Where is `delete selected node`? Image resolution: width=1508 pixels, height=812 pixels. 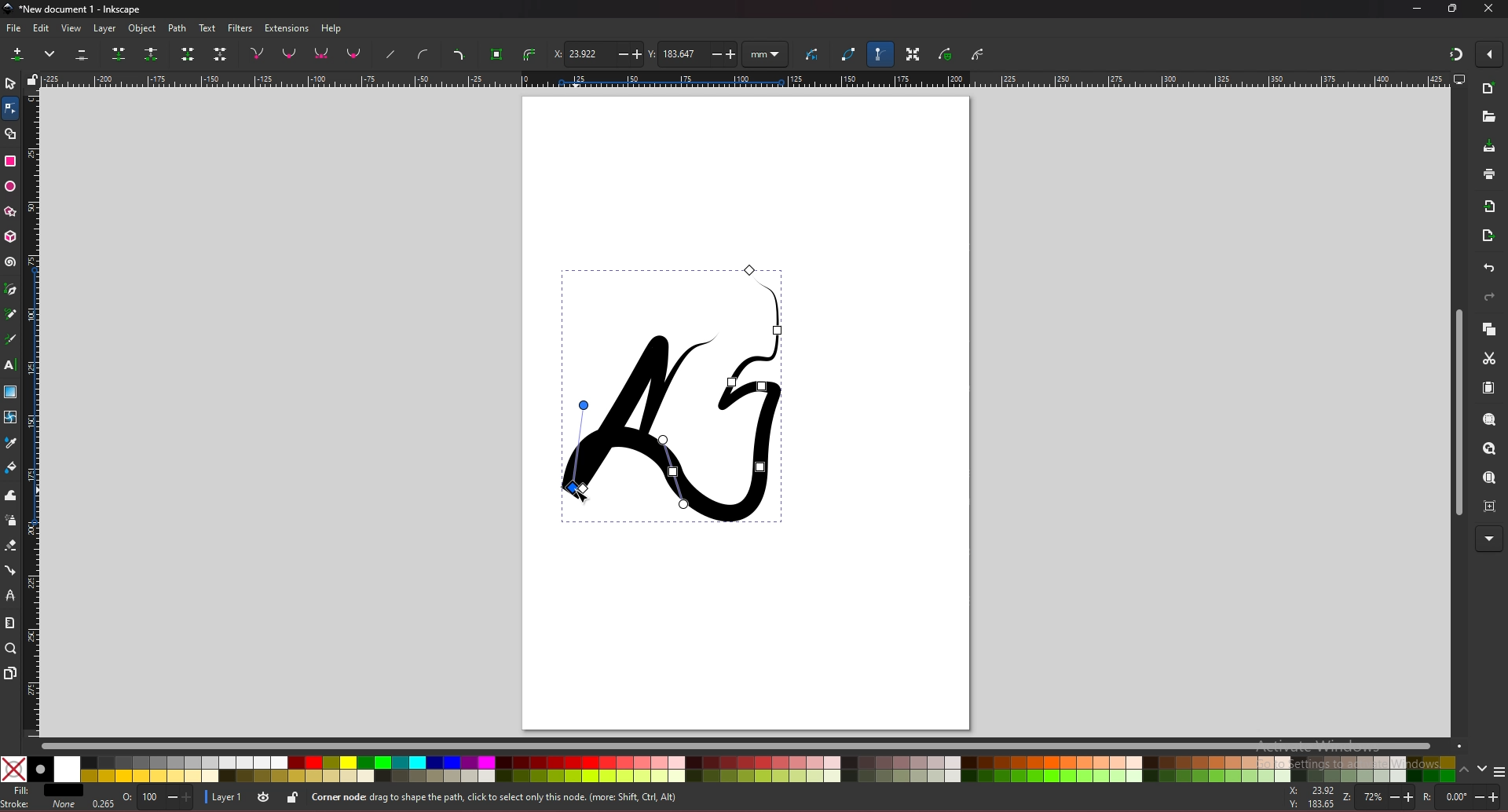
delete selected node is located at coordinates (82, 53).